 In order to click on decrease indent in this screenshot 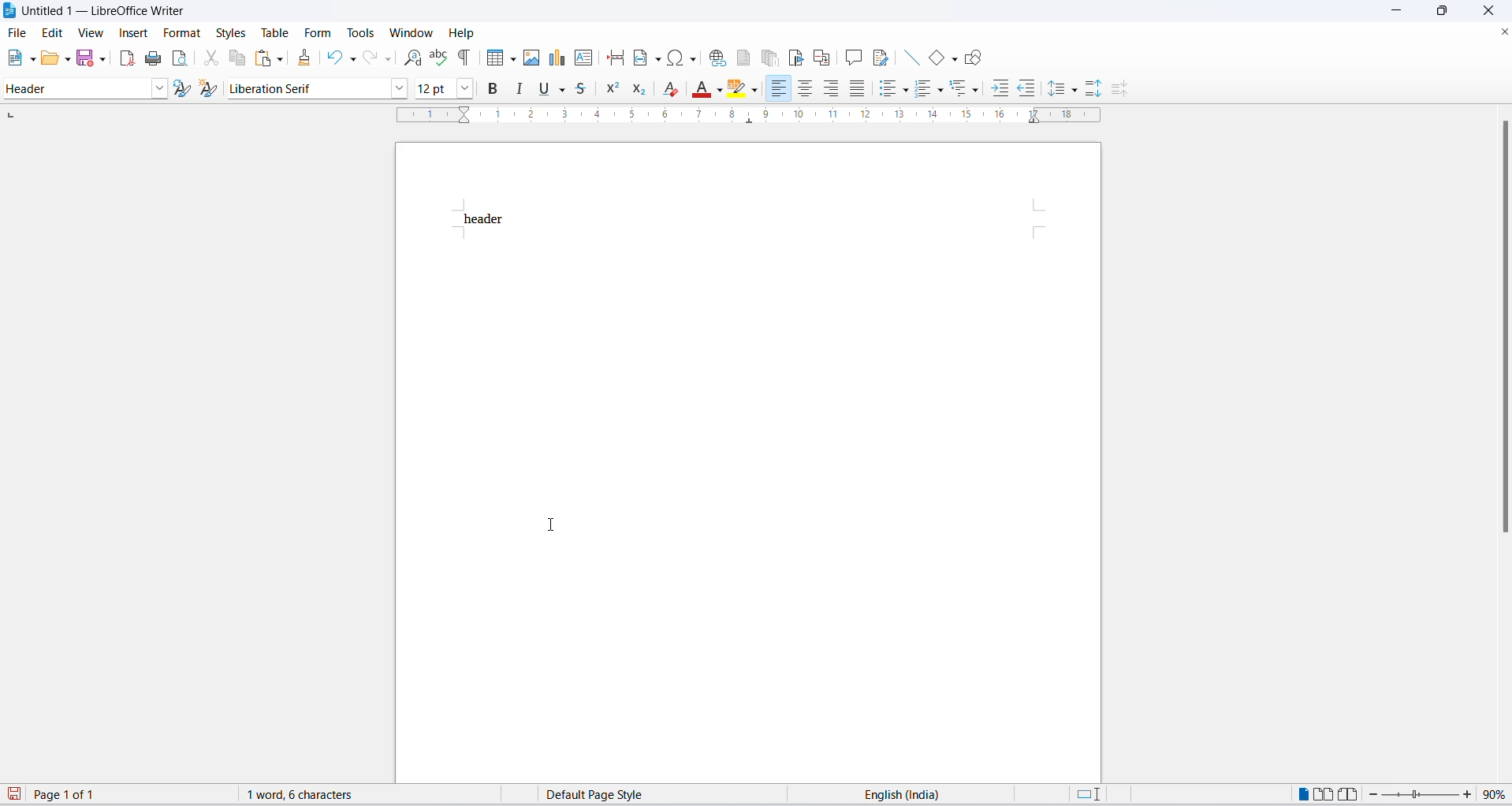, I will do `click(1029, 88)`.